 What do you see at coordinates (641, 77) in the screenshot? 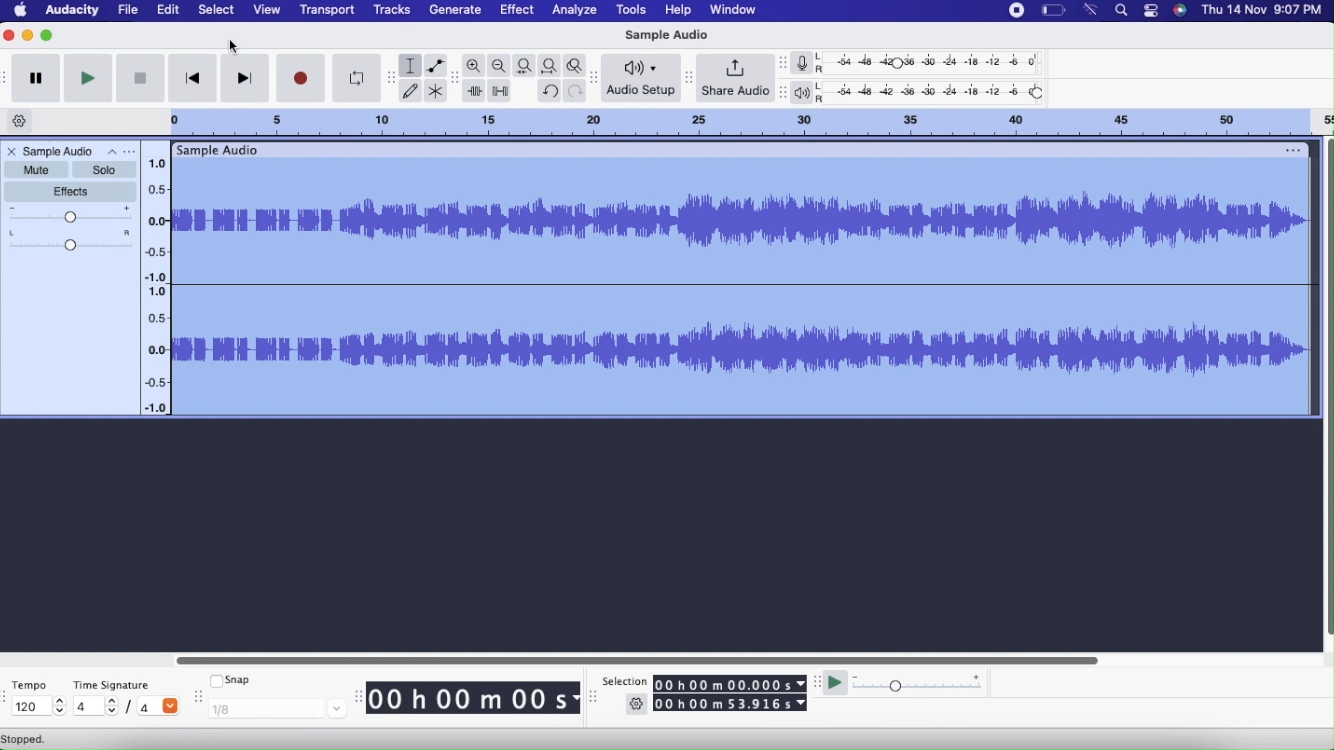
I see `Audio Setup` at bounding box center [641, 77].